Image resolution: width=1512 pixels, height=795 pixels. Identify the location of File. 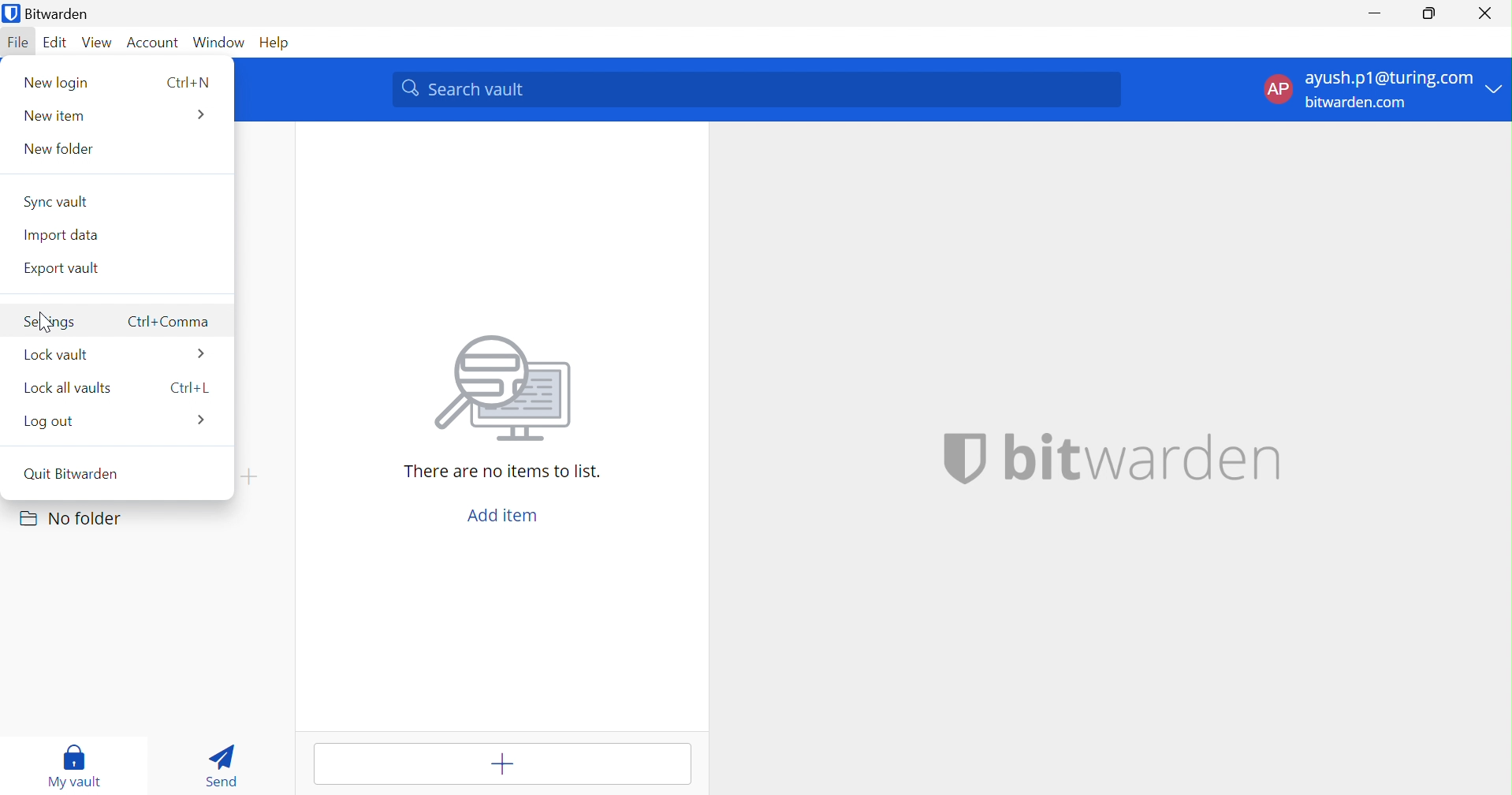
(18, 44).